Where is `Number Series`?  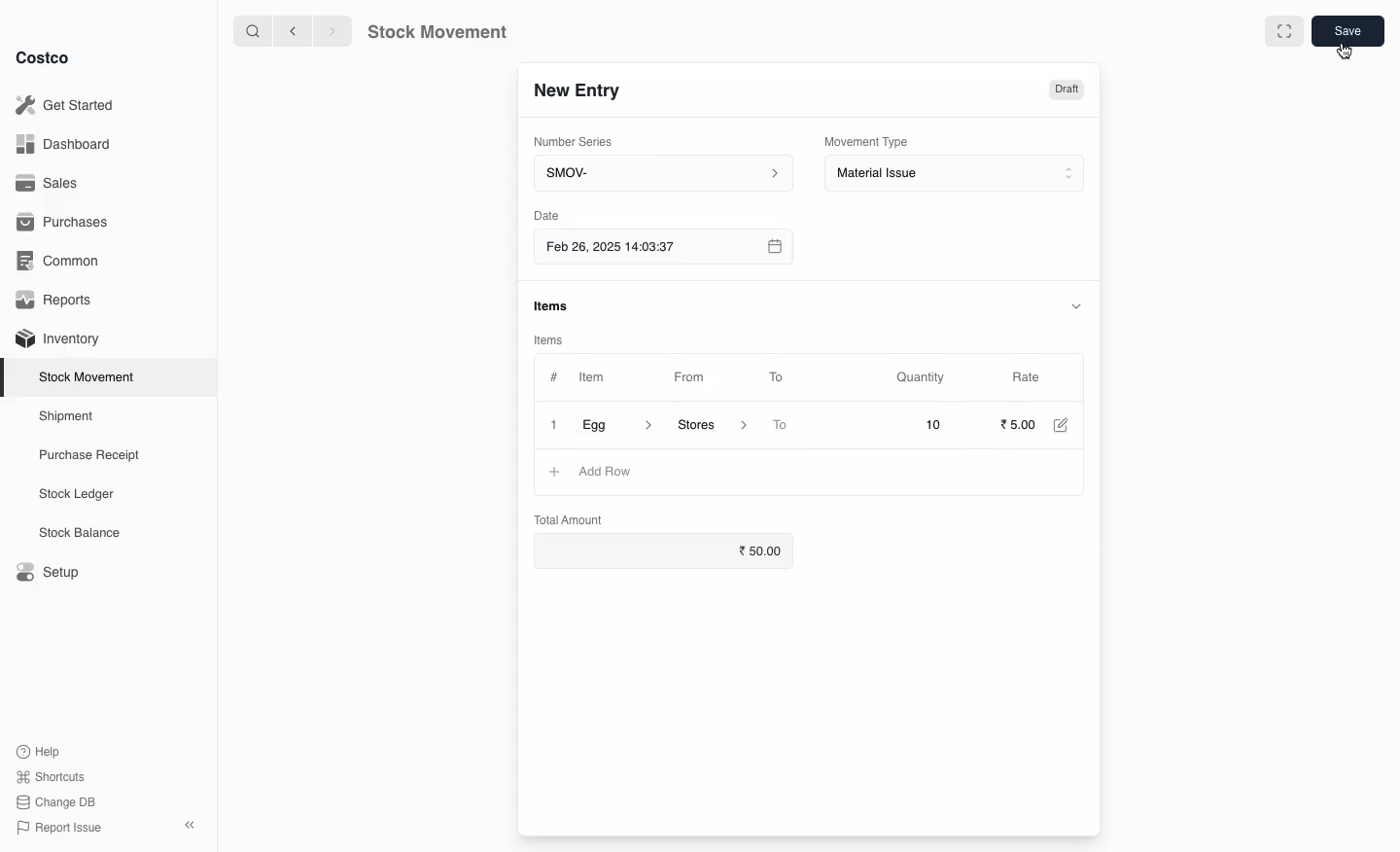
Number Series is located at coordinates (580, 145).